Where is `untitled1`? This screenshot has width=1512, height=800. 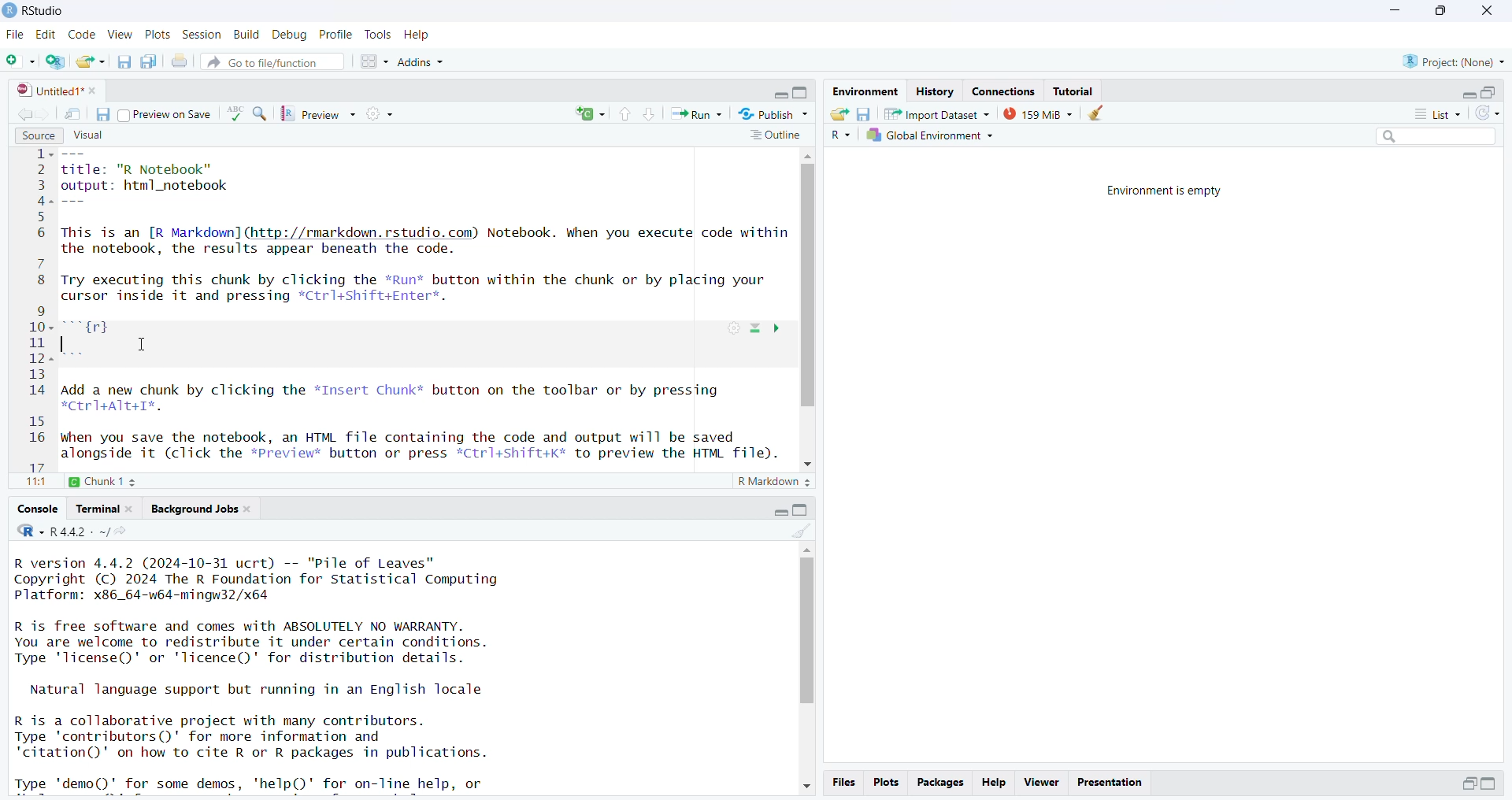
untitled1 is located at coordinates (57, 91).